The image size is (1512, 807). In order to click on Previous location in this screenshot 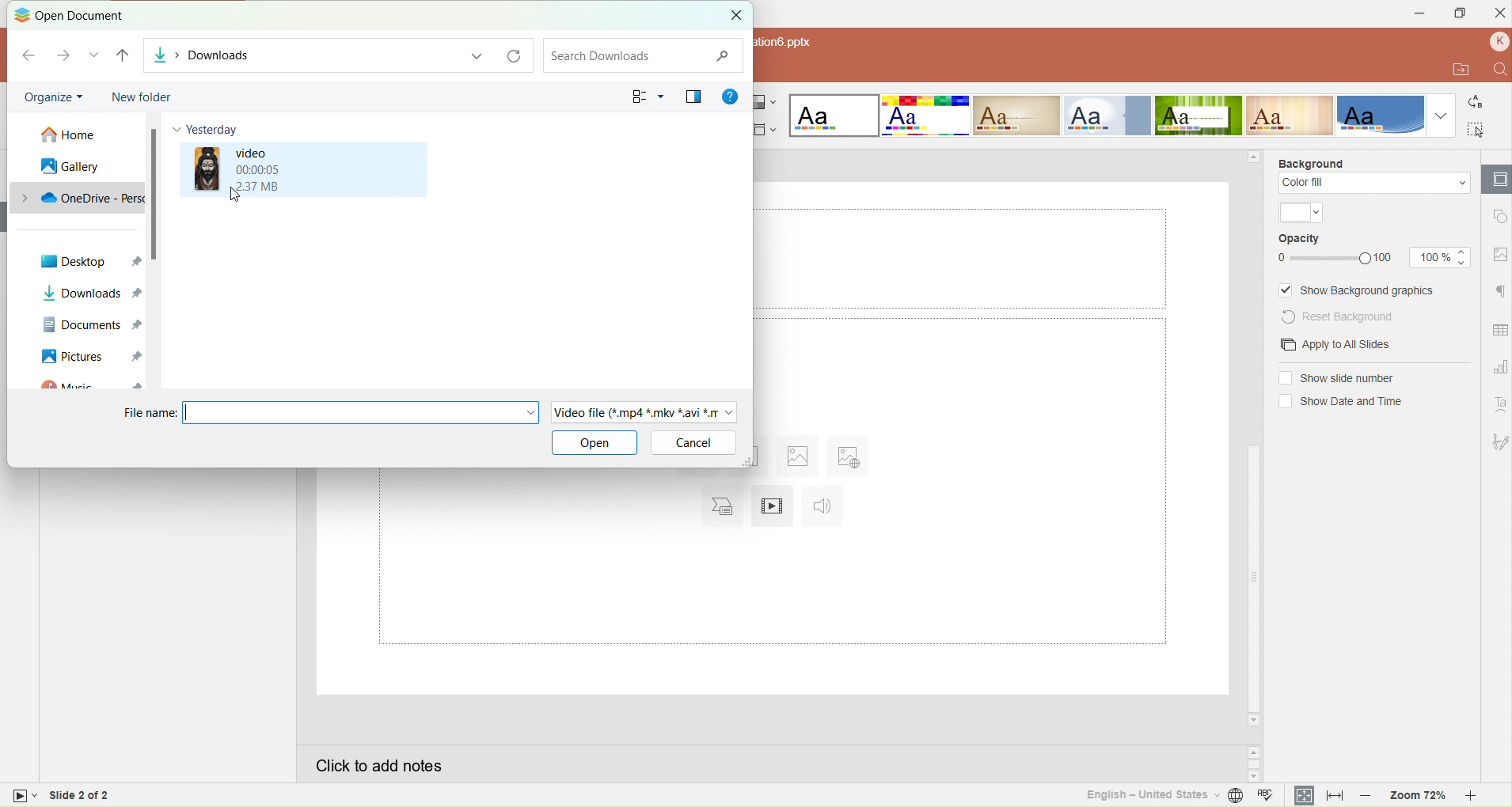, I will do `click(470, 55)`.